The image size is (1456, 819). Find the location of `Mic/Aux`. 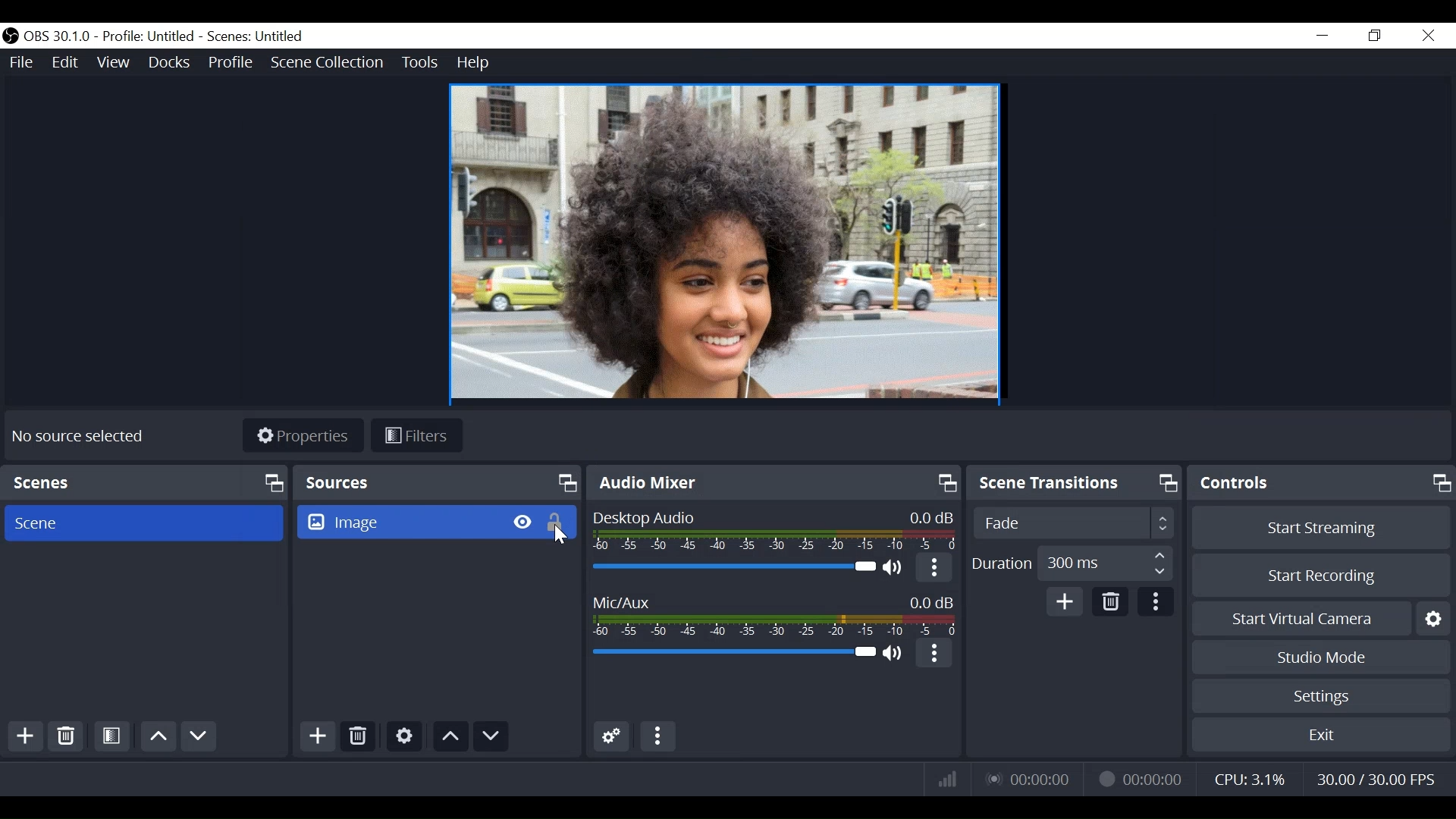

Mic/Aux is located at coordinates (774, 614).